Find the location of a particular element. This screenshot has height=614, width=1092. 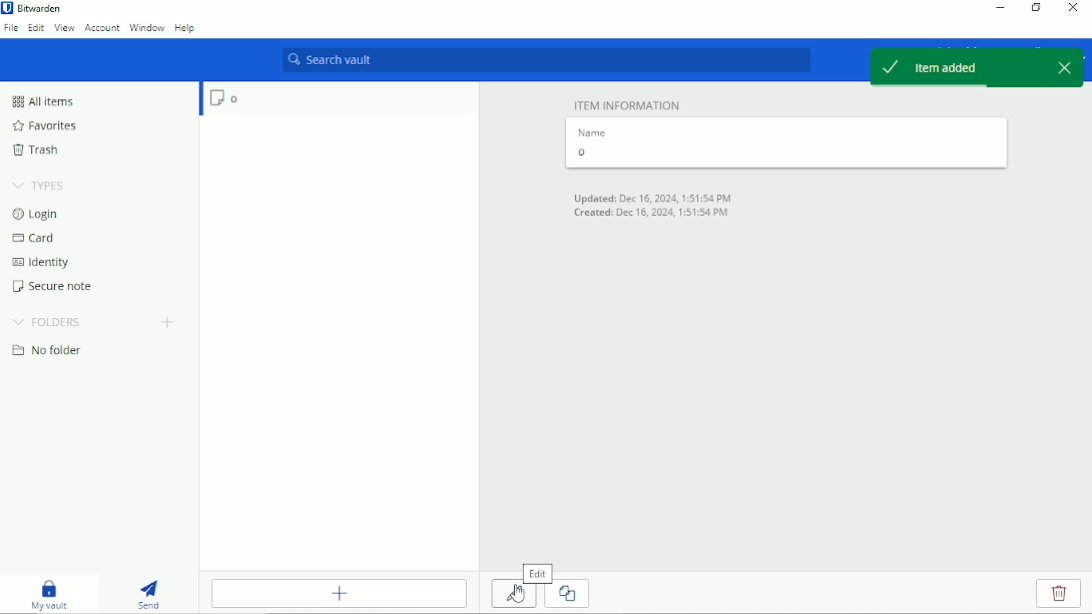

Secure note is located at coordinates (54, 286).